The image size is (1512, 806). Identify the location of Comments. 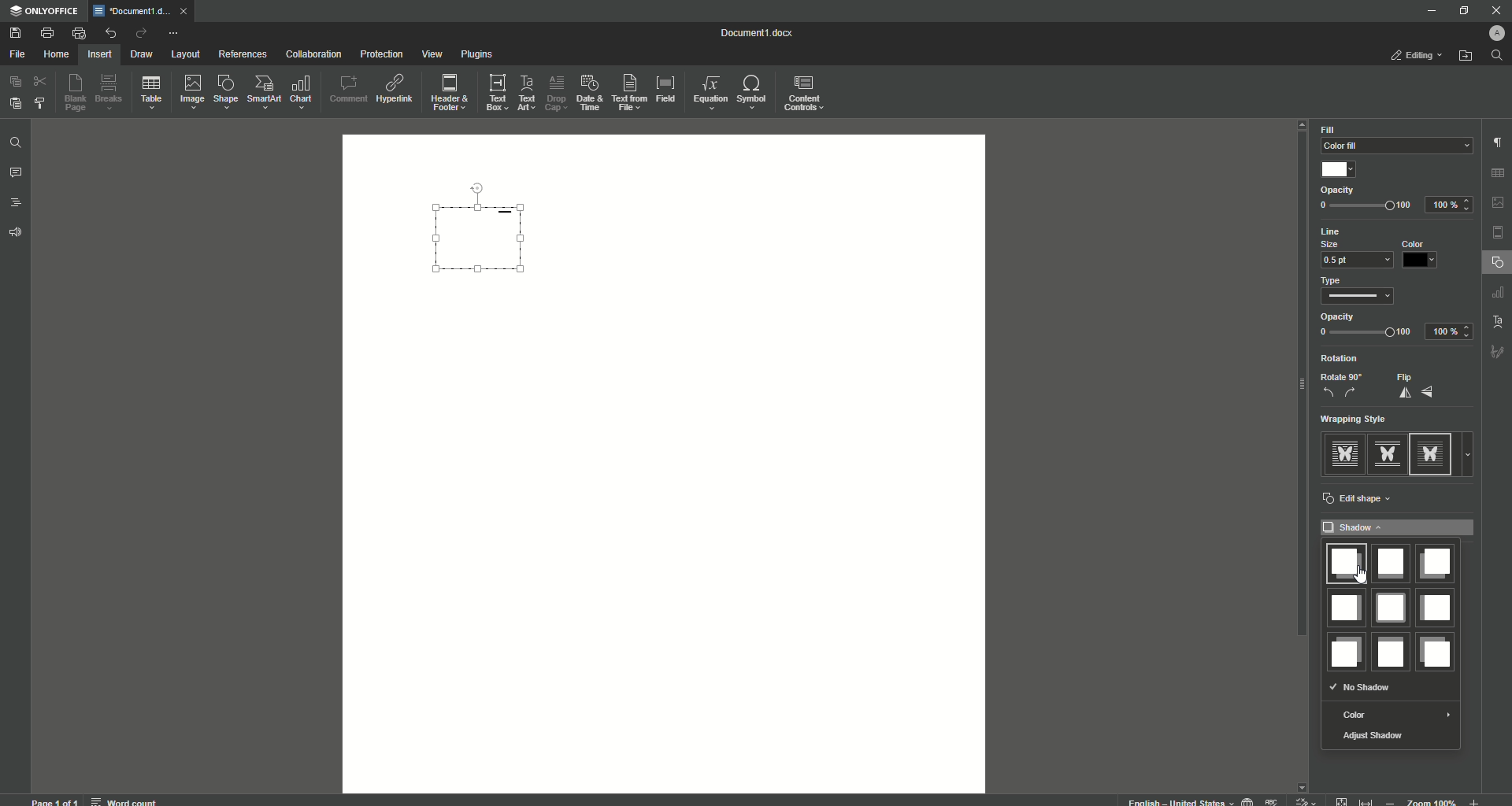
(16, 173).